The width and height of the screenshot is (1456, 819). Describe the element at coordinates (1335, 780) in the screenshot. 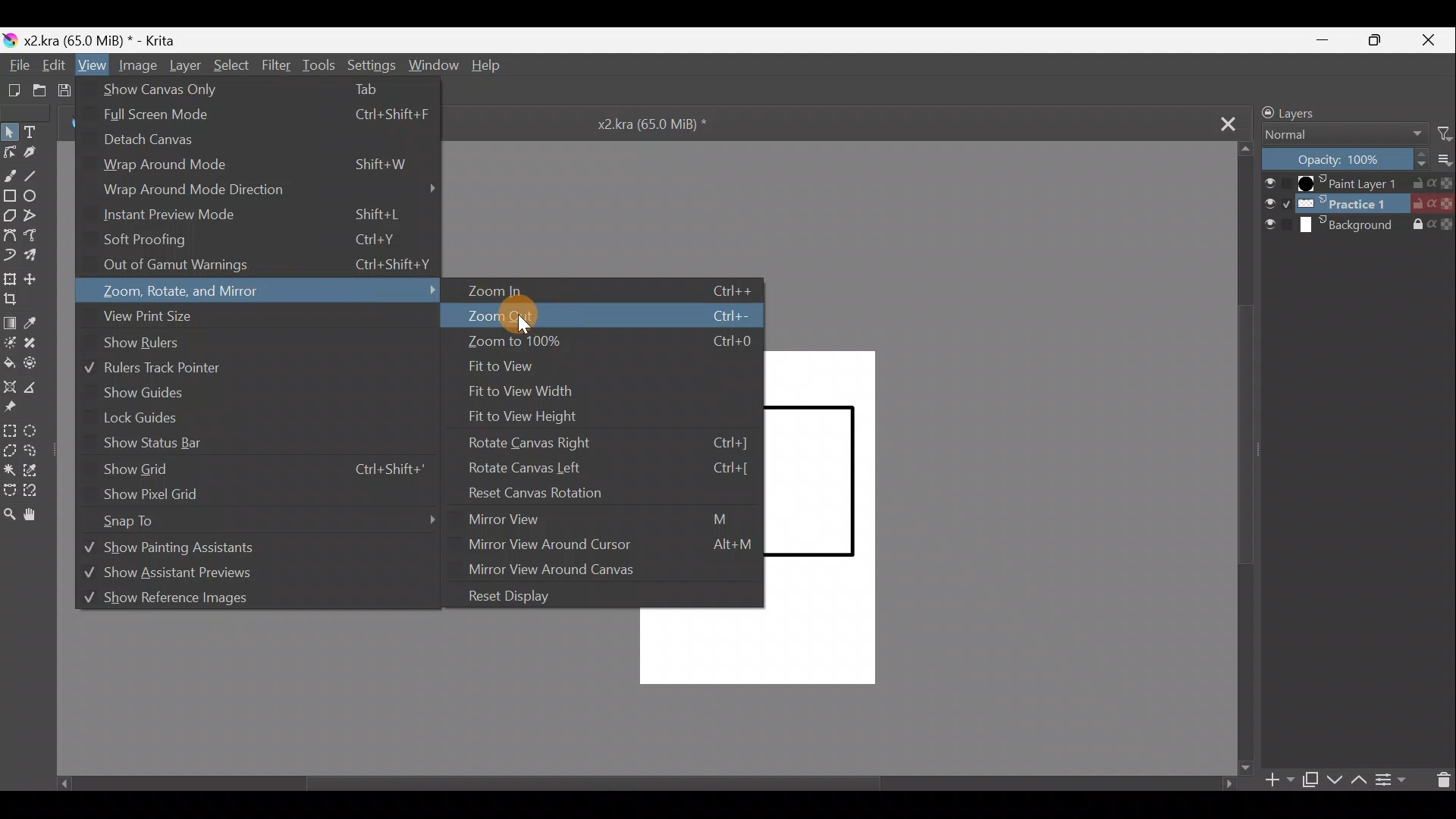

I see `Move layer/mask down` at that location.